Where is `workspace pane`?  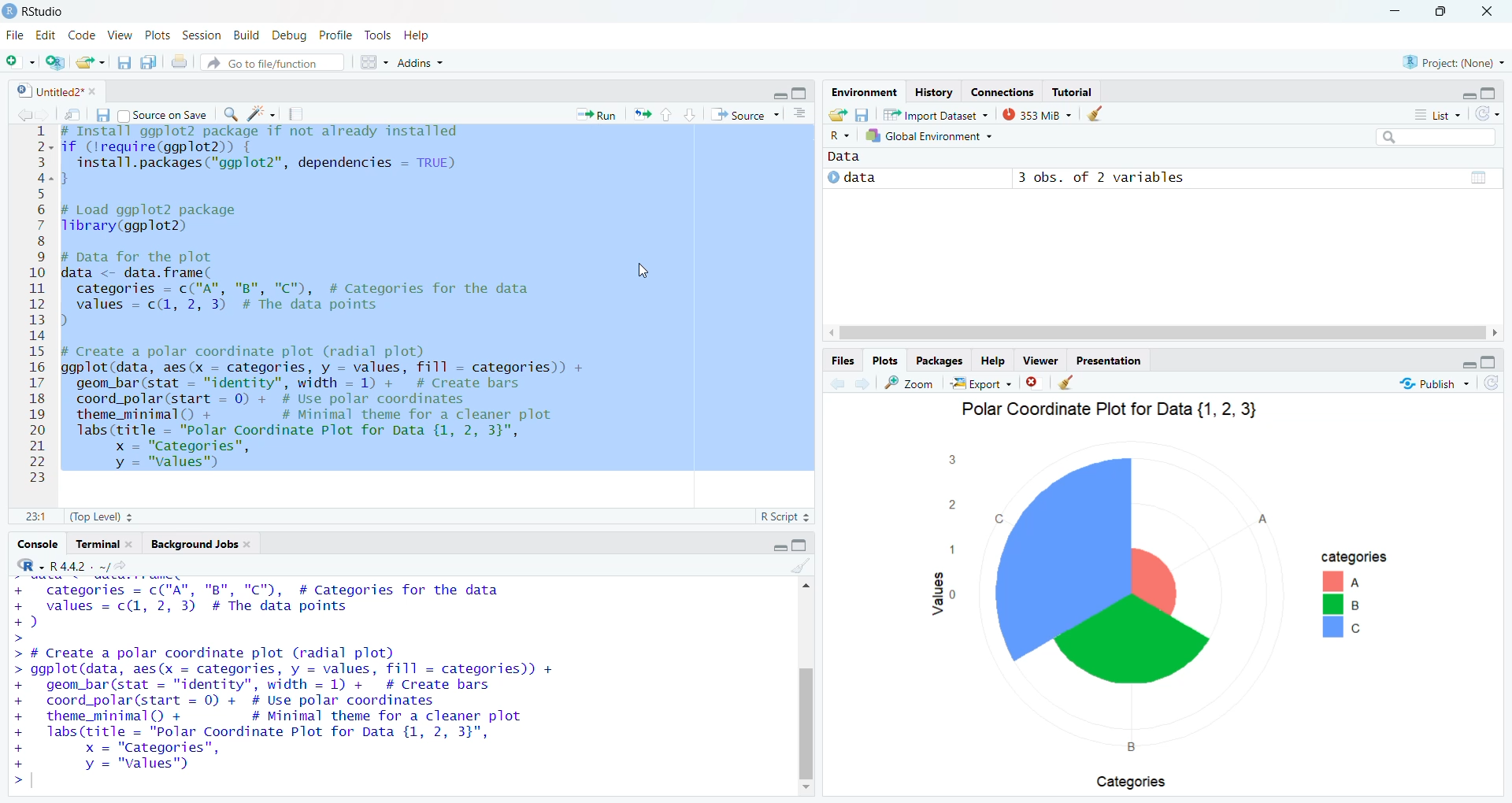
workspace pane is located at coordinates (376, 62).